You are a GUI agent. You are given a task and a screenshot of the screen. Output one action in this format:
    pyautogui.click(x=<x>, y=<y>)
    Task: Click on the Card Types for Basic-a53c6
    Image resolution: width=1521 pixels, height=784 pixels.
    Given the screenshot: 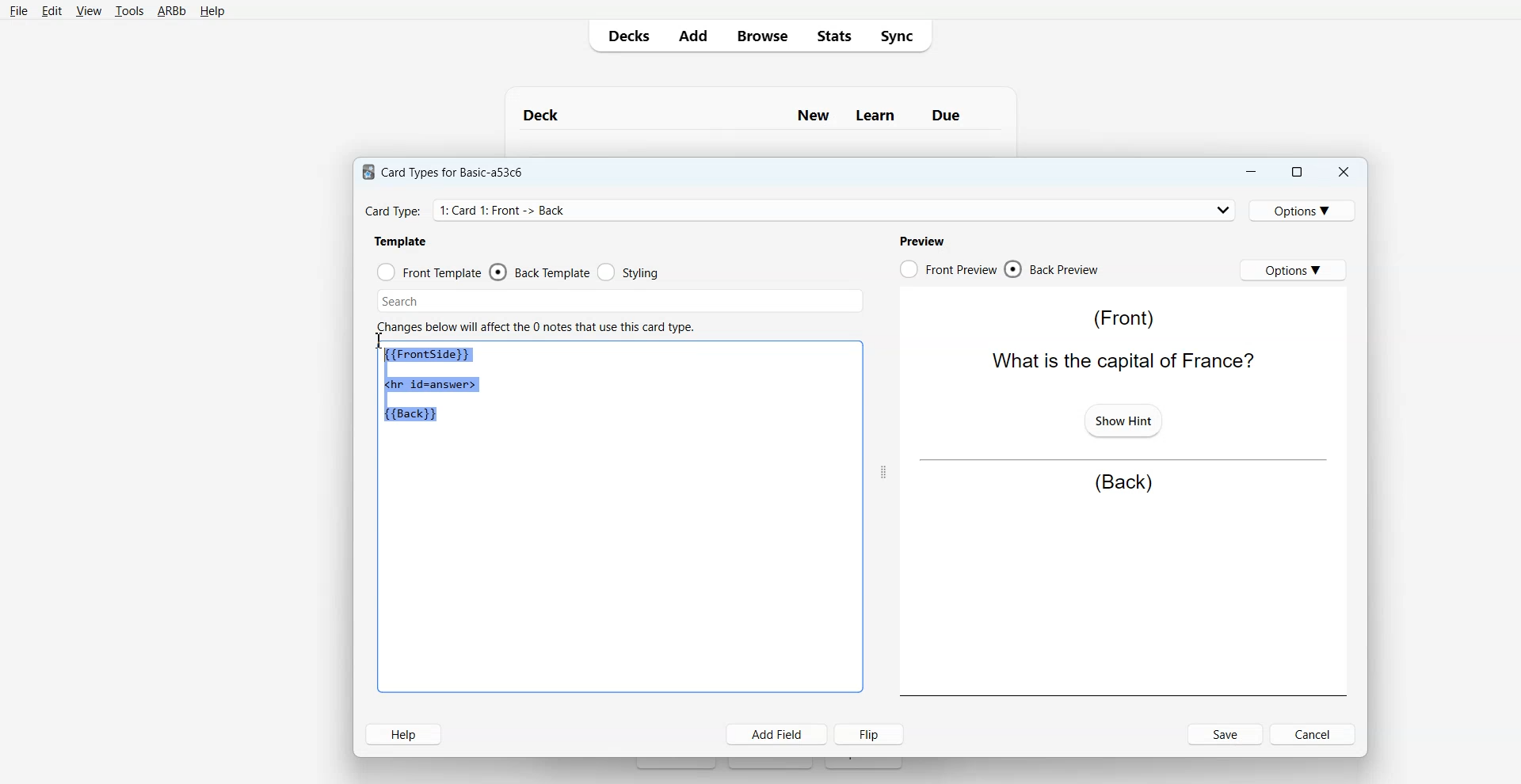 What is the action you would take?
    pyautogui.click(x=444, y=171)
    